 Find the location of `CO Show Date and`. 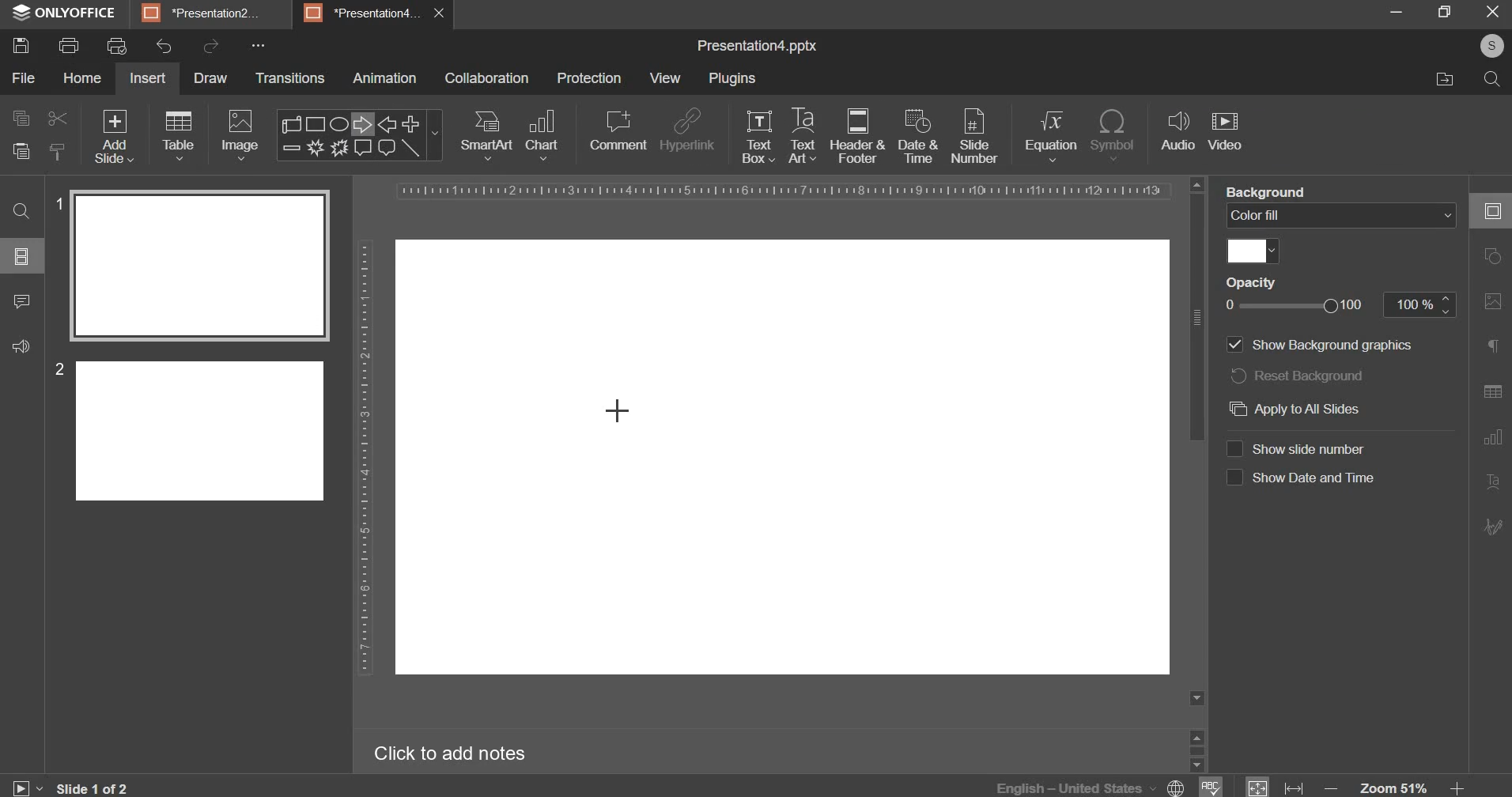

CO Show Date and is located at coordinates (1318, 451).